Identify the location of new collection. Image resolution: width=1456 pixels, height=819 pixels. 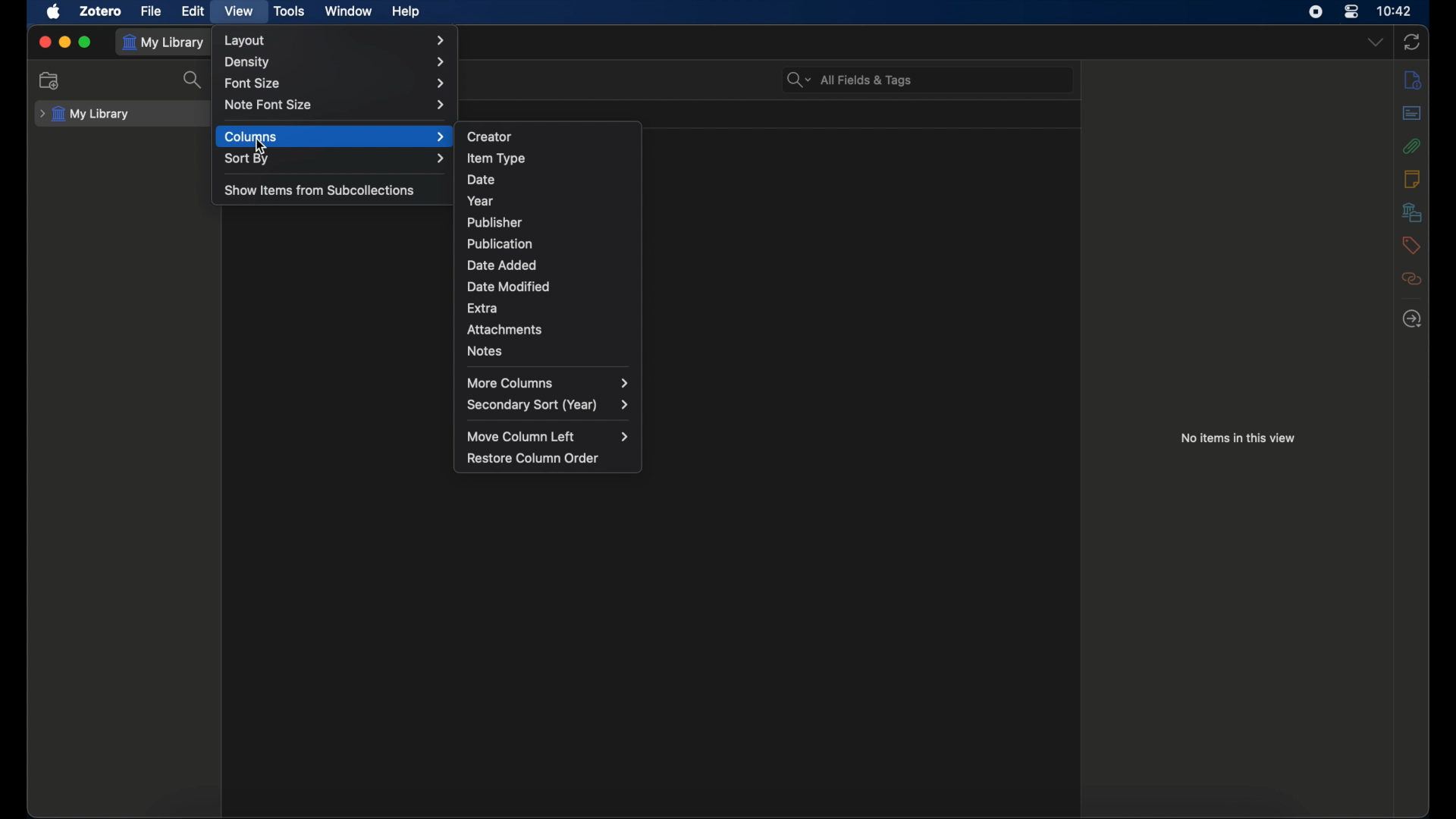
(49, 80).